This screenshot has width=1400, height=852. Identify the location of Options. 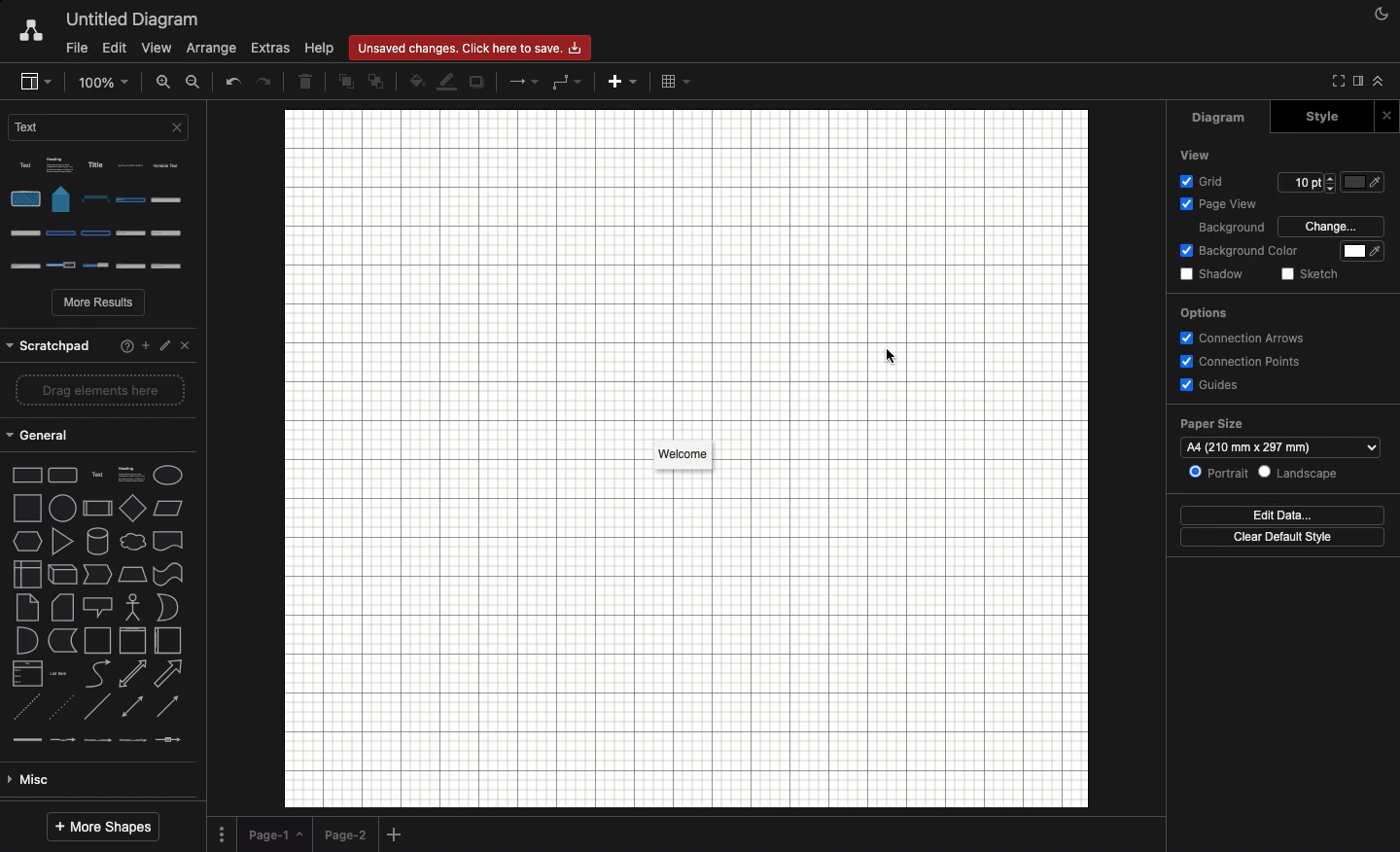
(104, 216).